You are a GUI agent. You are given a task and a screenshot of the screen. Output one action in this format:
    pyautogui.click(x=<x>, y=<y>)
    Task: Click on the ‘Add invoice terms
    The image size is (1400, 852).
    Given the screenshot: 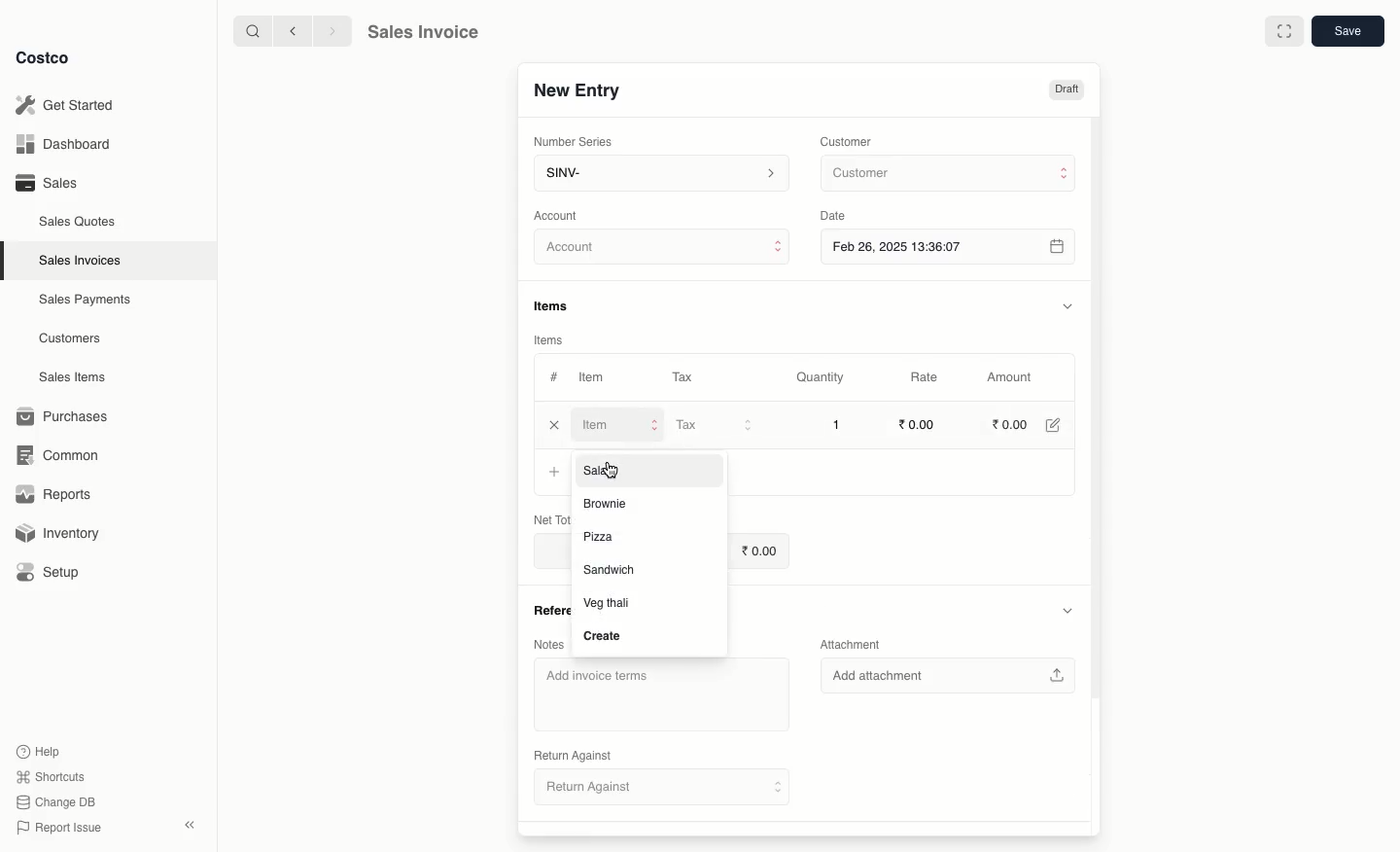 What is the action you would take?
    pyautogui.click(x=657, y=692)
    